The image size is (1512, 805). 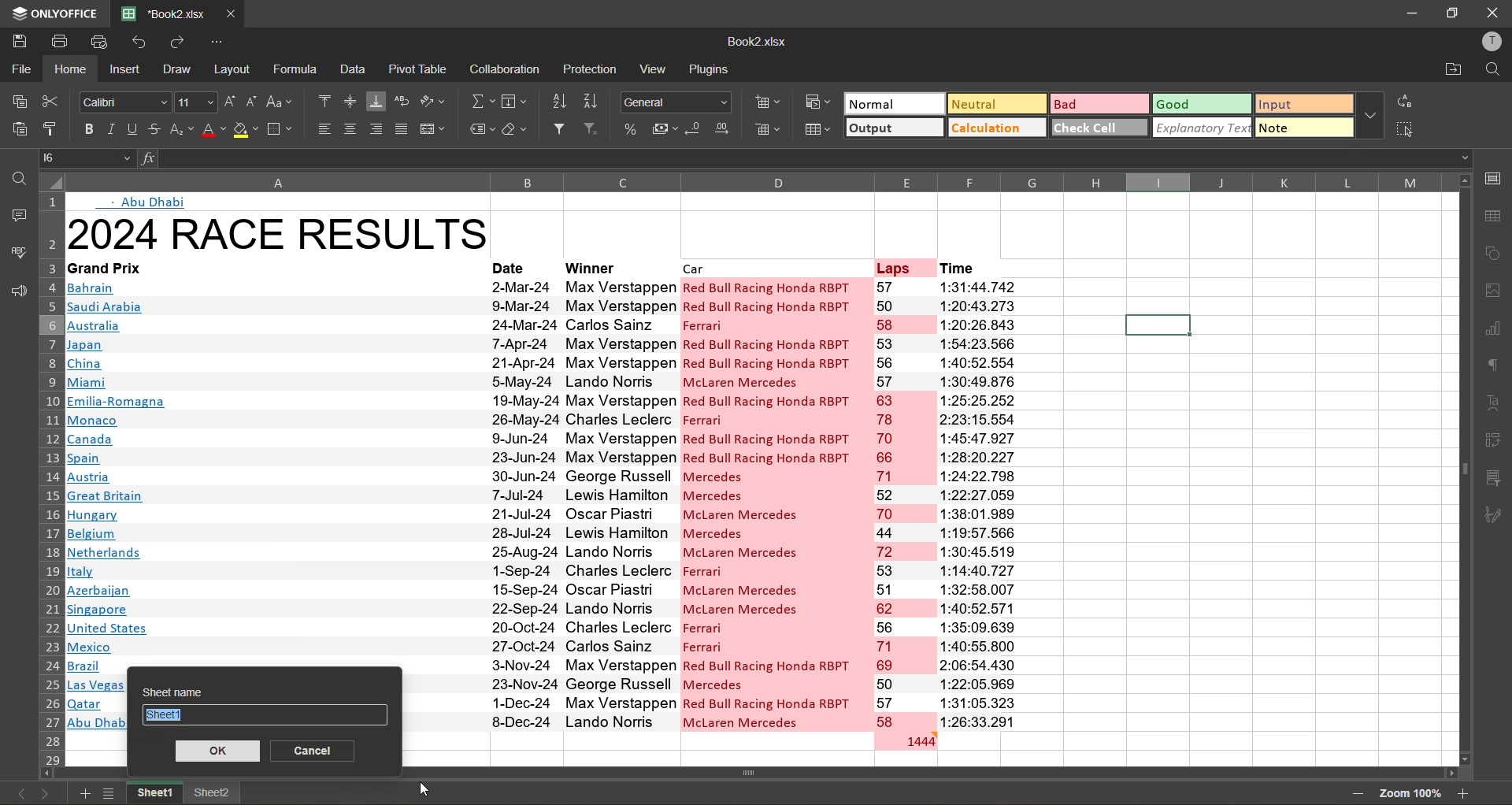 I want to click on conditional formatting, so click(x=817, y=102).